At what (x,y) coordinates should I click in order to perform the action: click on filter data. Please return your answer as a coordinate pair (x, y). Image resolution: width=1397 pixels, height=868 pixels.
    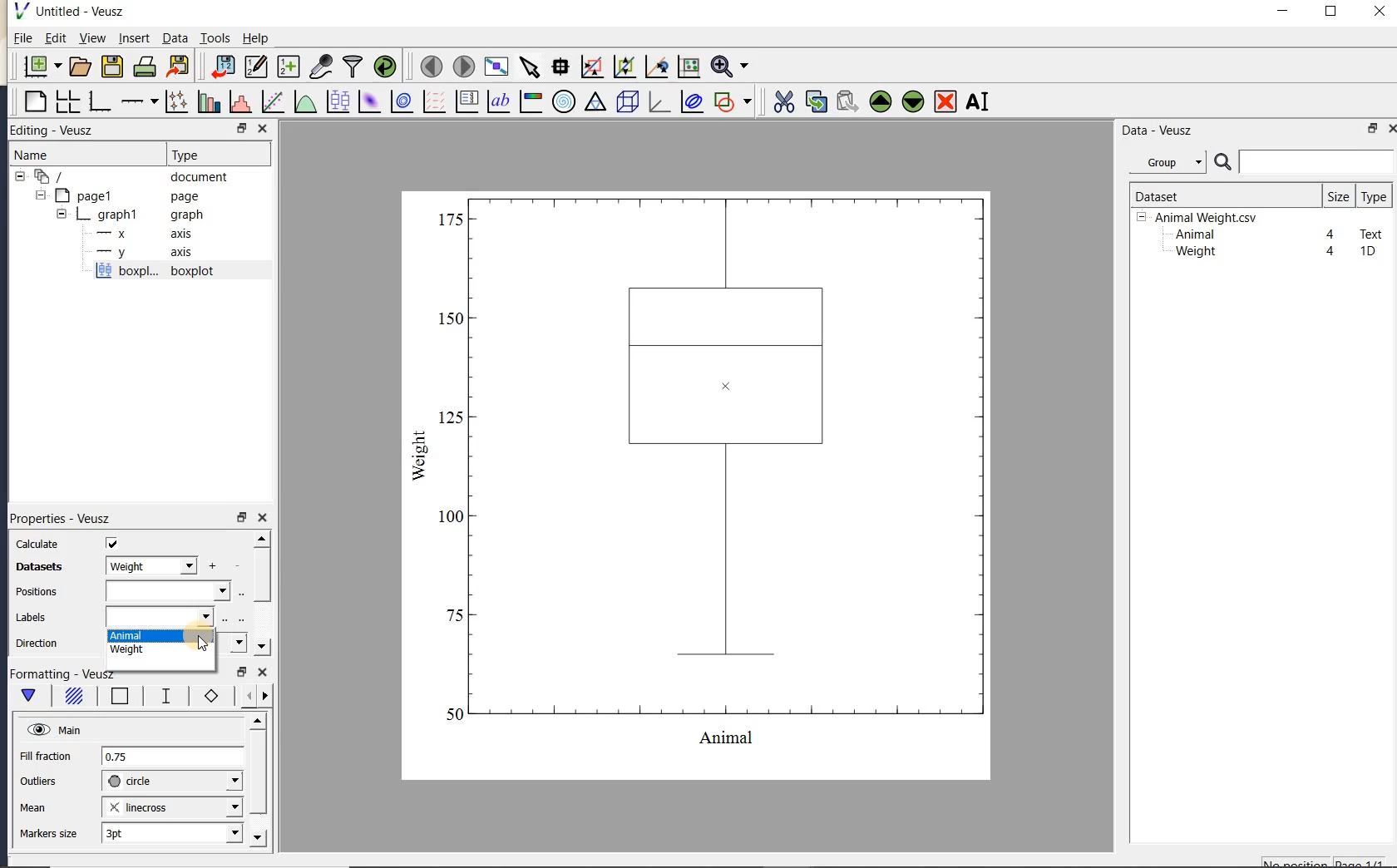
    Looking at the image, I should click on (353, 65).